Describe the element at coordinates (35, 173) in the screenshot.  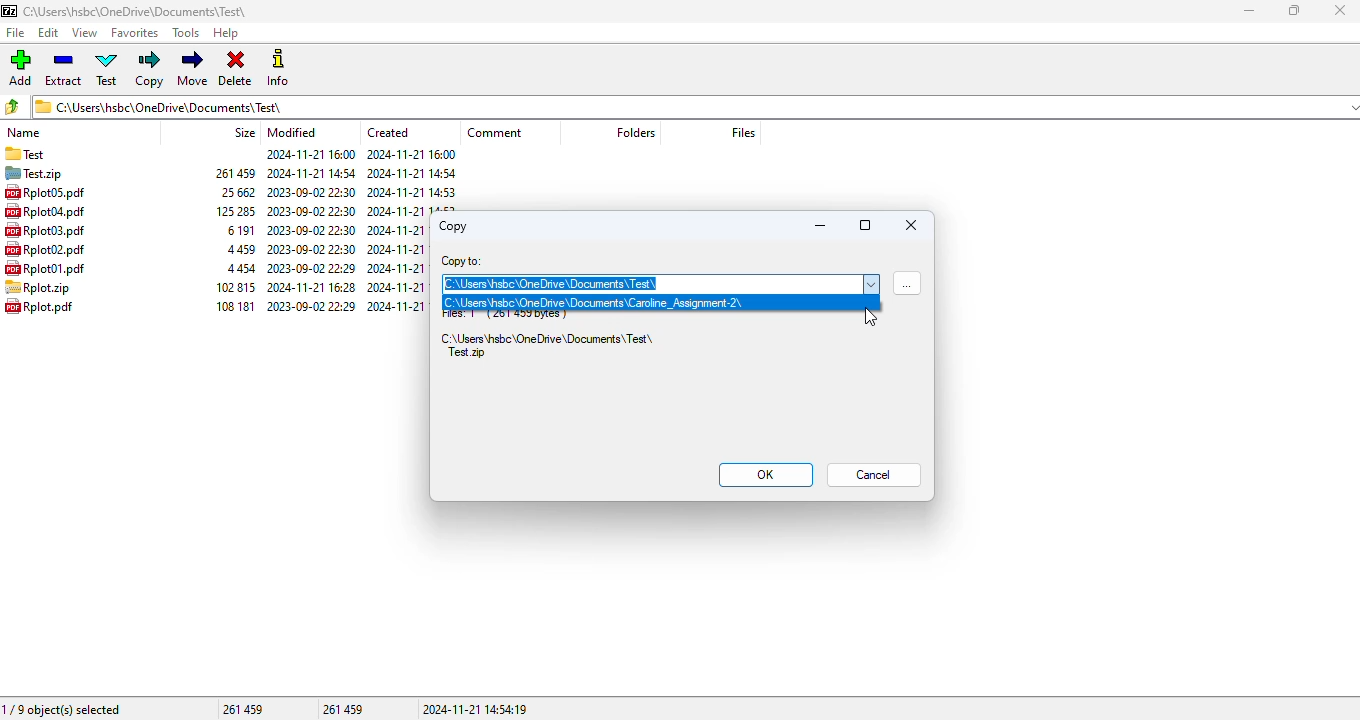
I see `archive` at that location.